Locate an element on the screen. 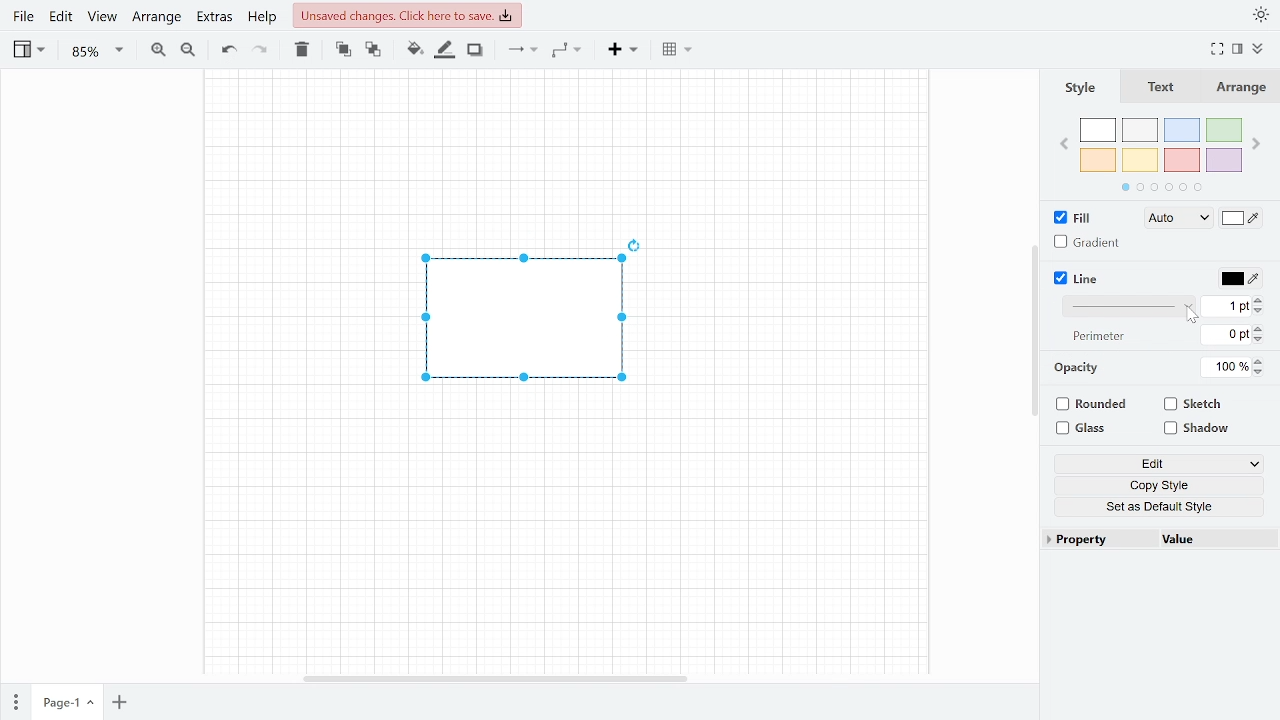  Zoom out is located at coordinates (186, 50).